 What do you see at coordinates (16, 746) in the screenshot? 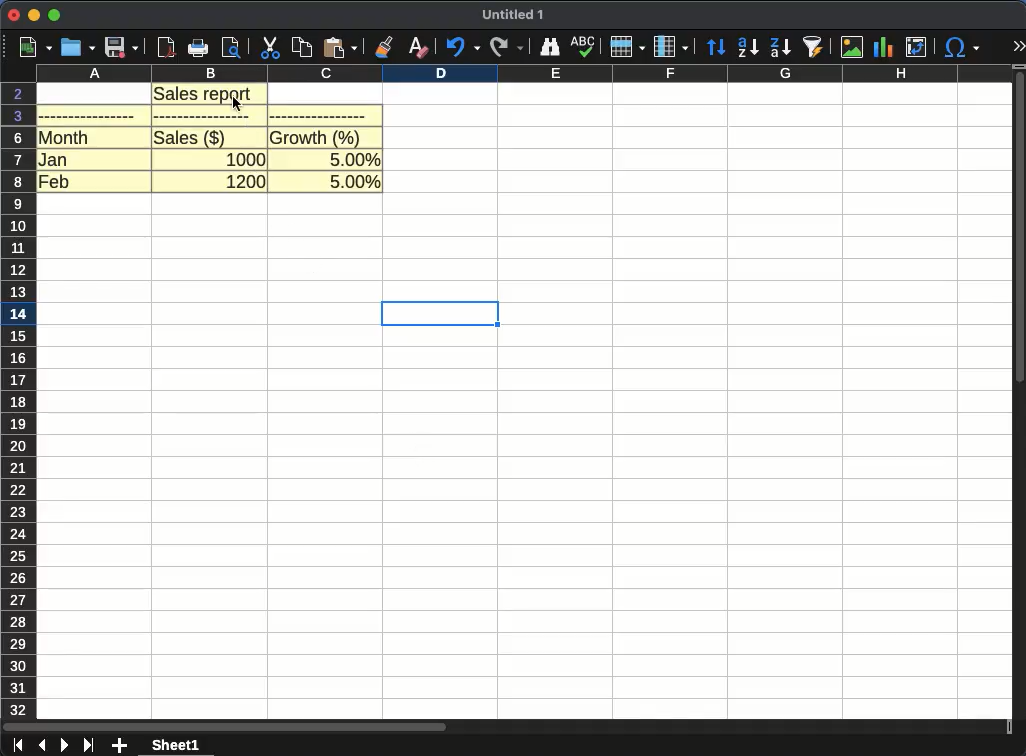
I see `first sheet` at bounding box center [16, 746].